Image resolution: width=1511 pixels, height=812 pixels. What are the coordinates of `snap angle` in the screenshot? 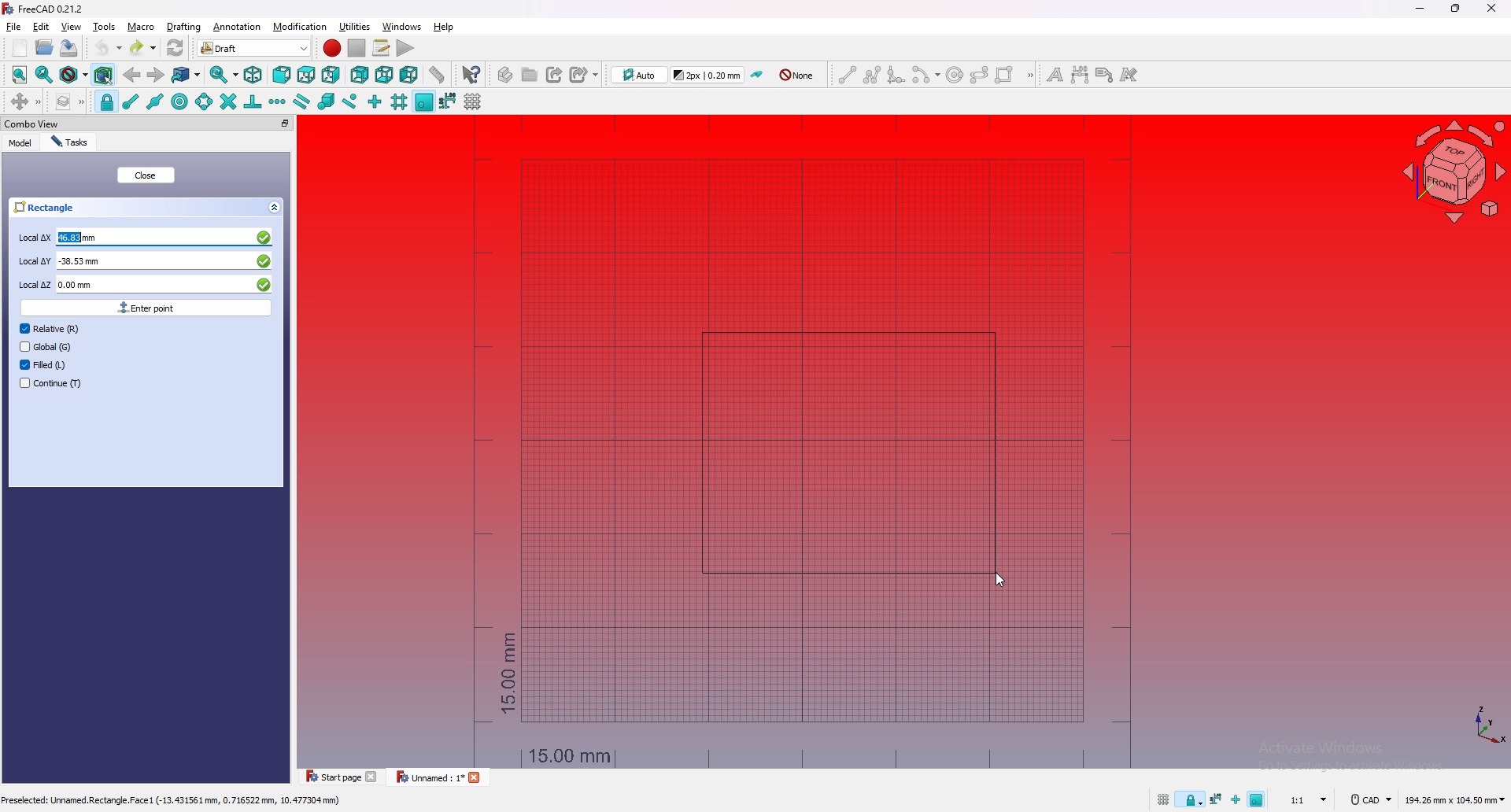 It's located at (203, 101).